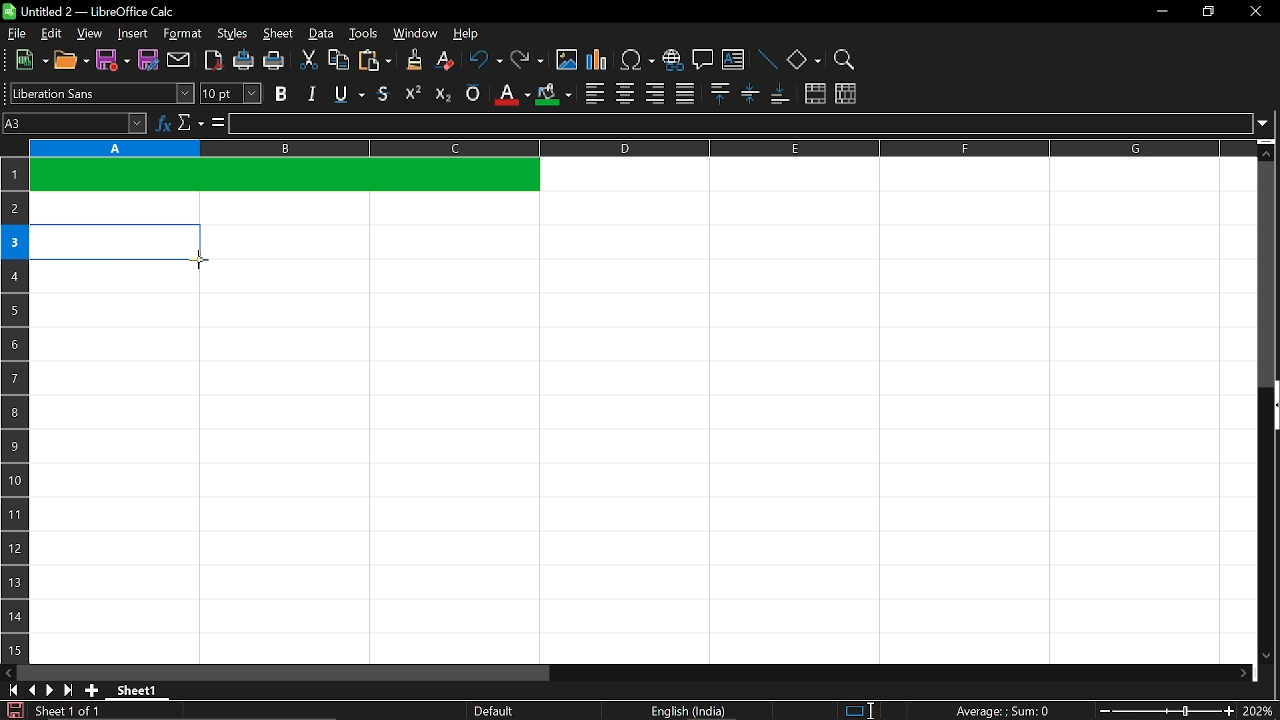 The height and width of the screenshot is (720, 1280). Describe the element at coordinates (640, 149) in the screenshot. I see `columns` at that location.